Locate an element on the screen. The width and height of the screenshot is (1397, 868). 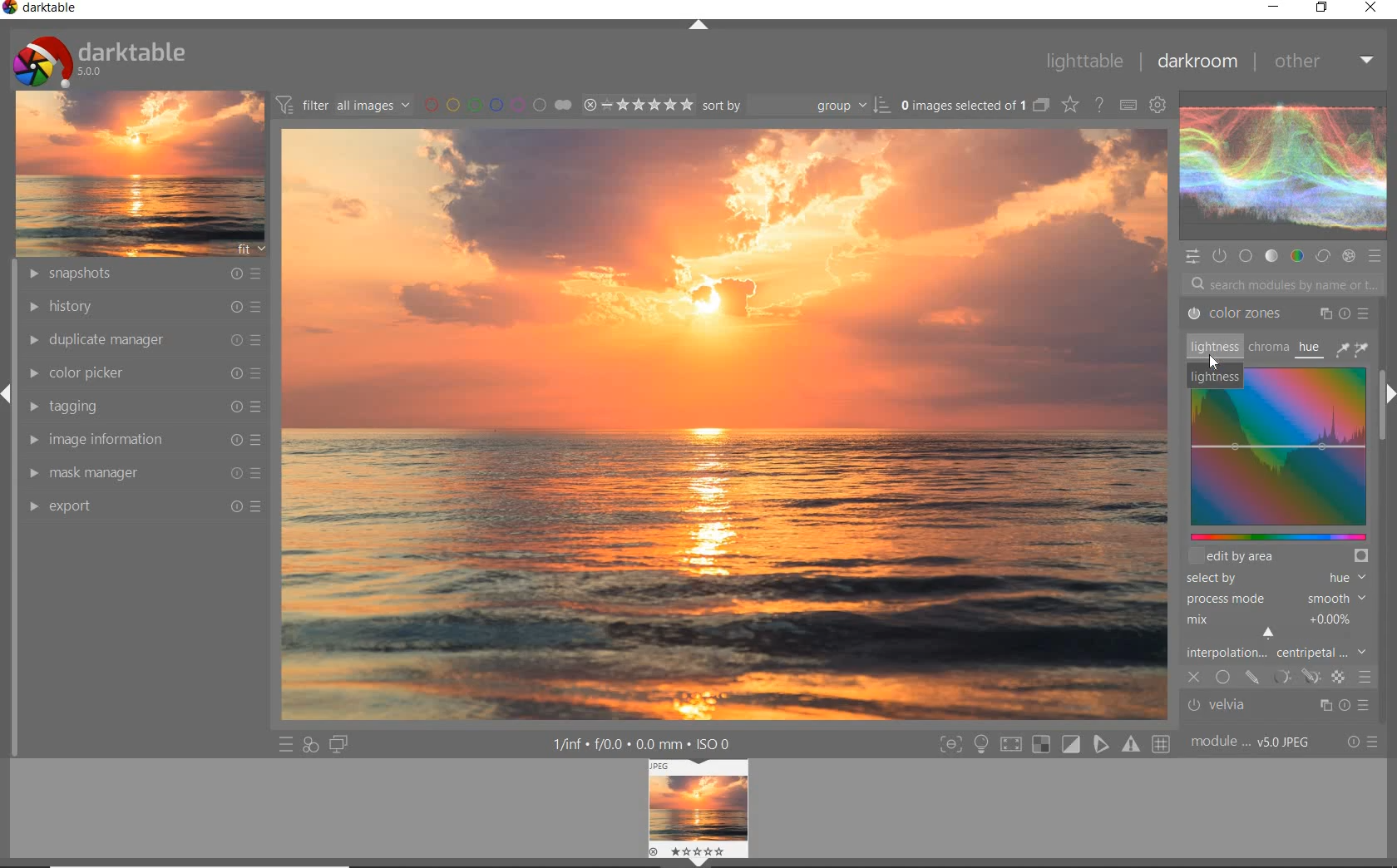
IMAGE INFORMATION is located at coordinates (146, 439).